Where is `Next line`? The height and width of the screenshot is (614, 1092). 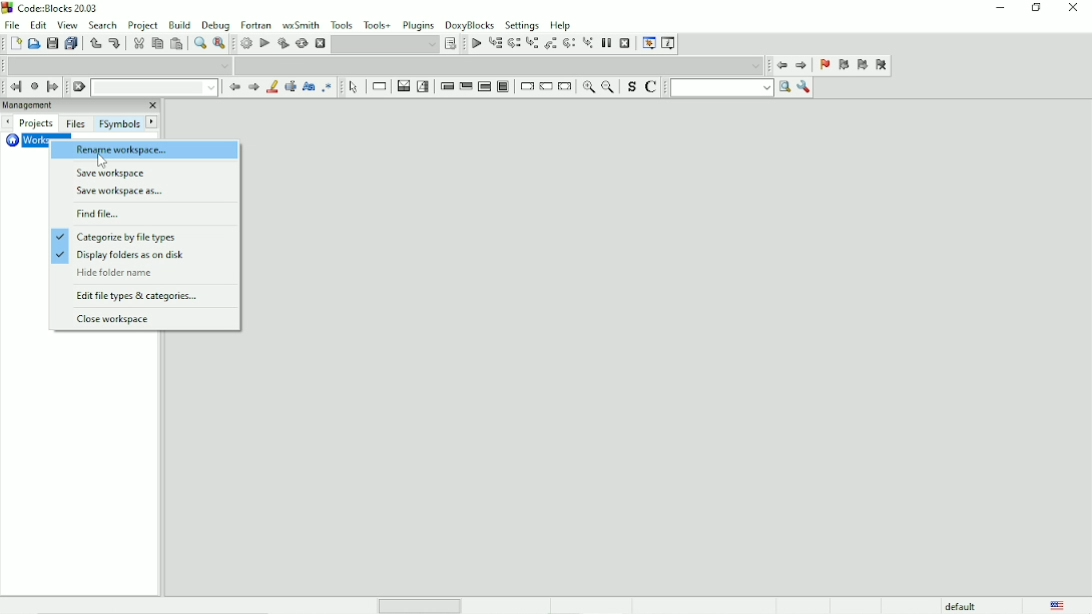 Next line is located at coordinates (514, 44).